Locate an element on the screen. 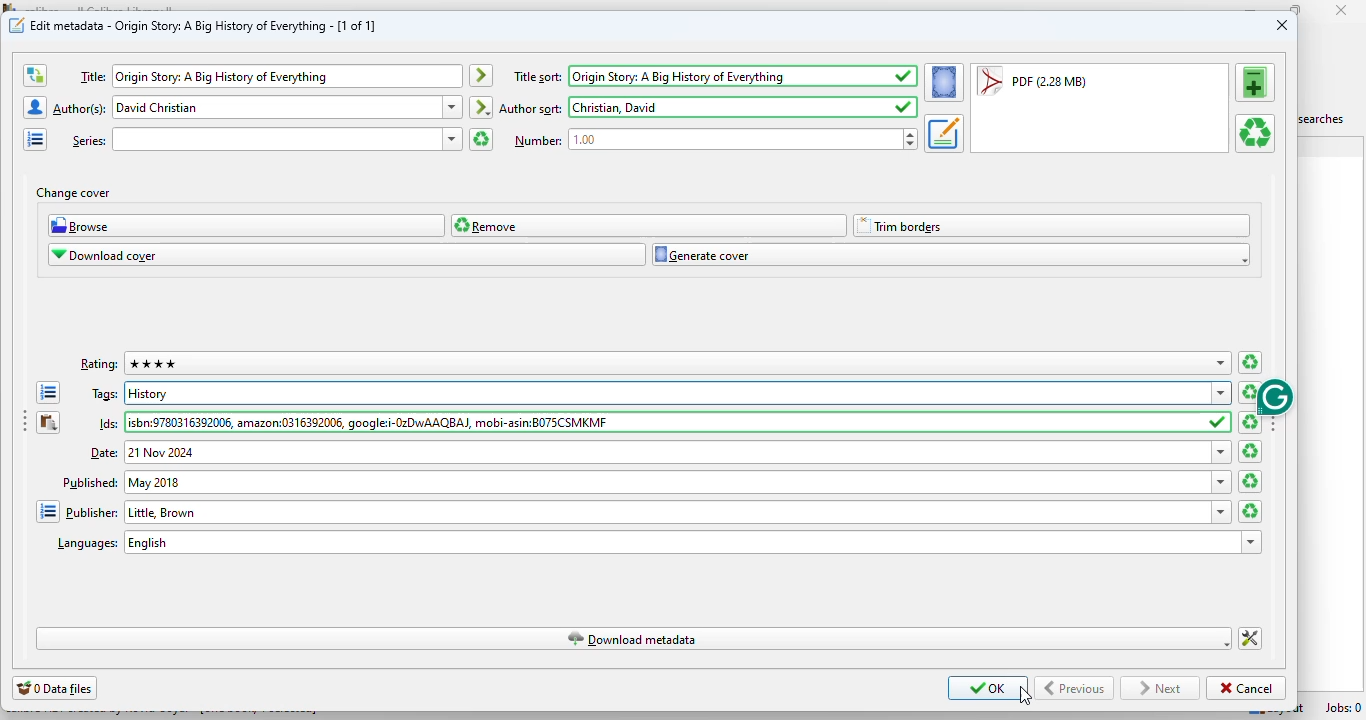  dropdown is located at coordinates (1222, 393).